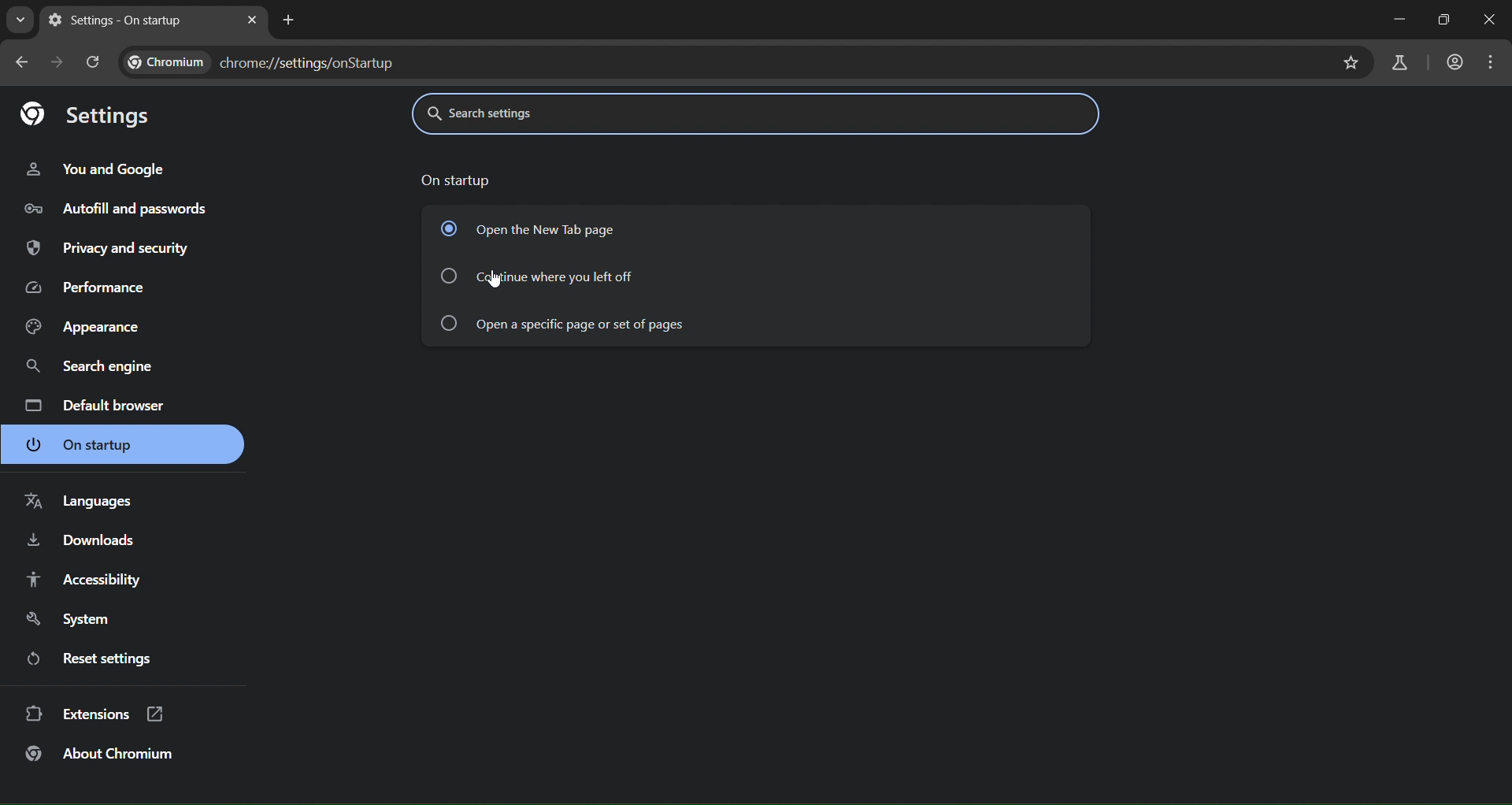  Describe the element at coordinates (100, 714) in the screenshot. I see `extensions` at that location.